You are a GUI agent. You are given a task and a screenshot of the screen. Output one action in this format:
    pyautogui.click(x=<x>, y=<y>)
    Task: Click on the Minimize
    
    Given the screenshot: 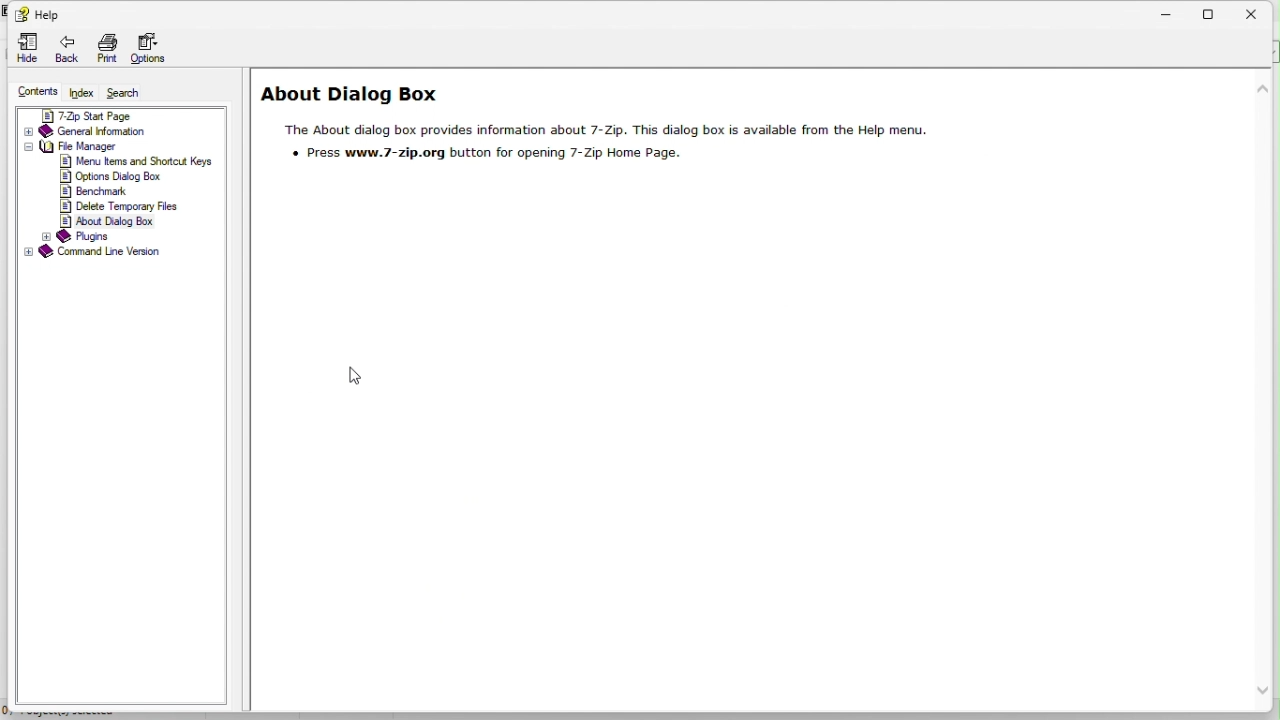 What is the action you would take?
    pyautogui.click(x=1169, y=12)
    